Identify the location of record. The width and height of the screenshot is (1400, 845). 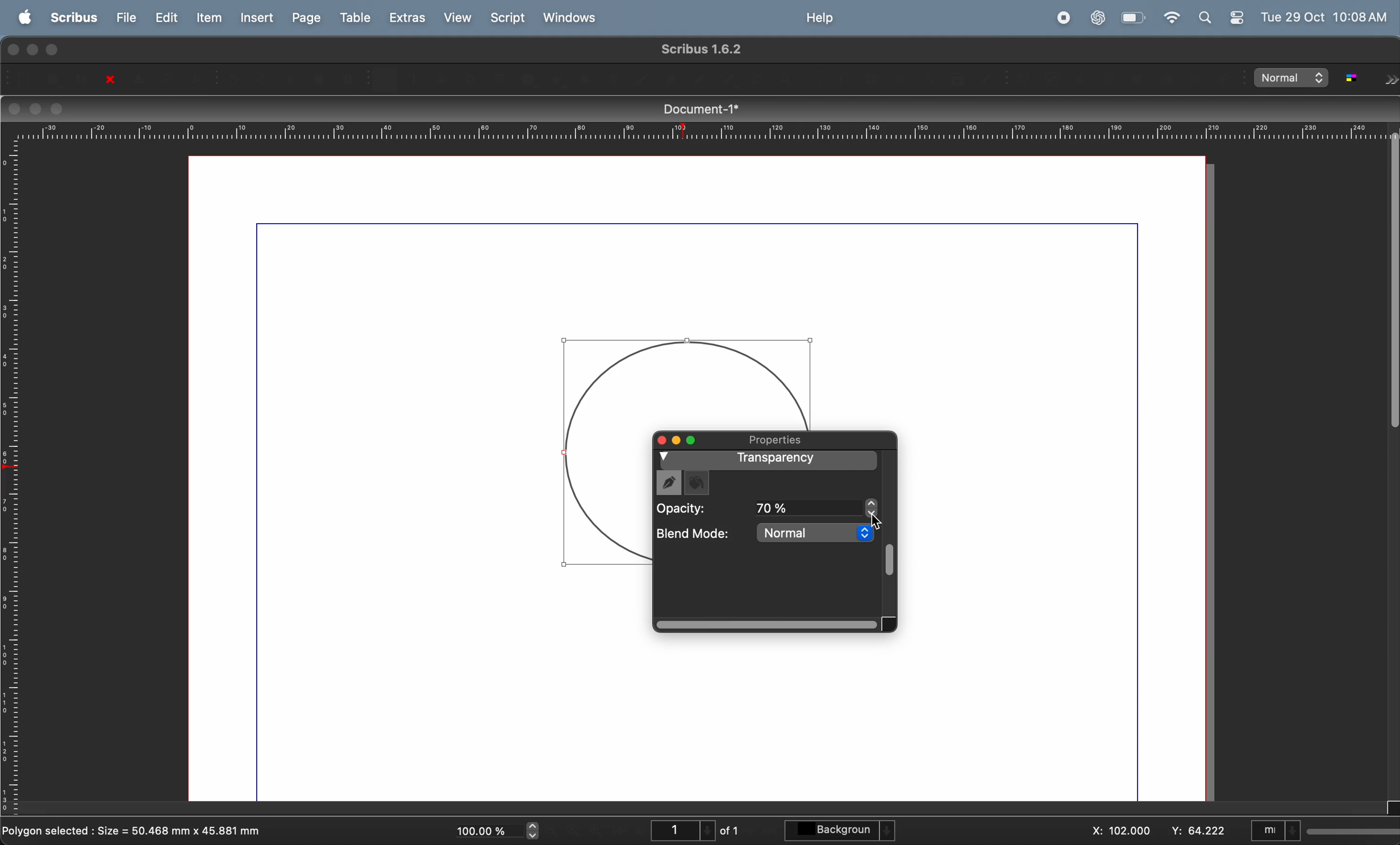
(1062, 19).